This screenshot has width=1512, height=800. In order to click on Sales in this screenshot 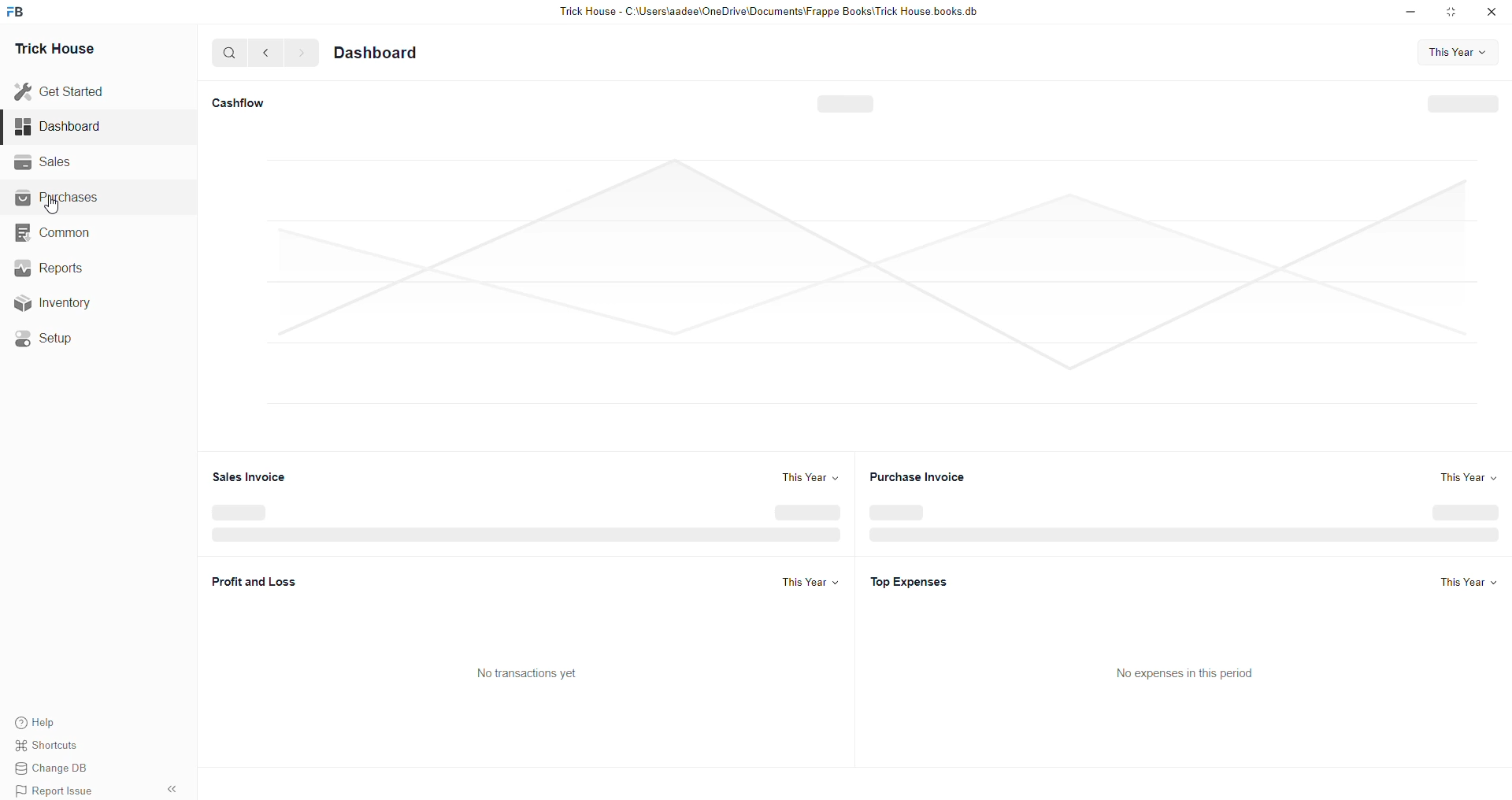, I will do `click(41, 160)`.